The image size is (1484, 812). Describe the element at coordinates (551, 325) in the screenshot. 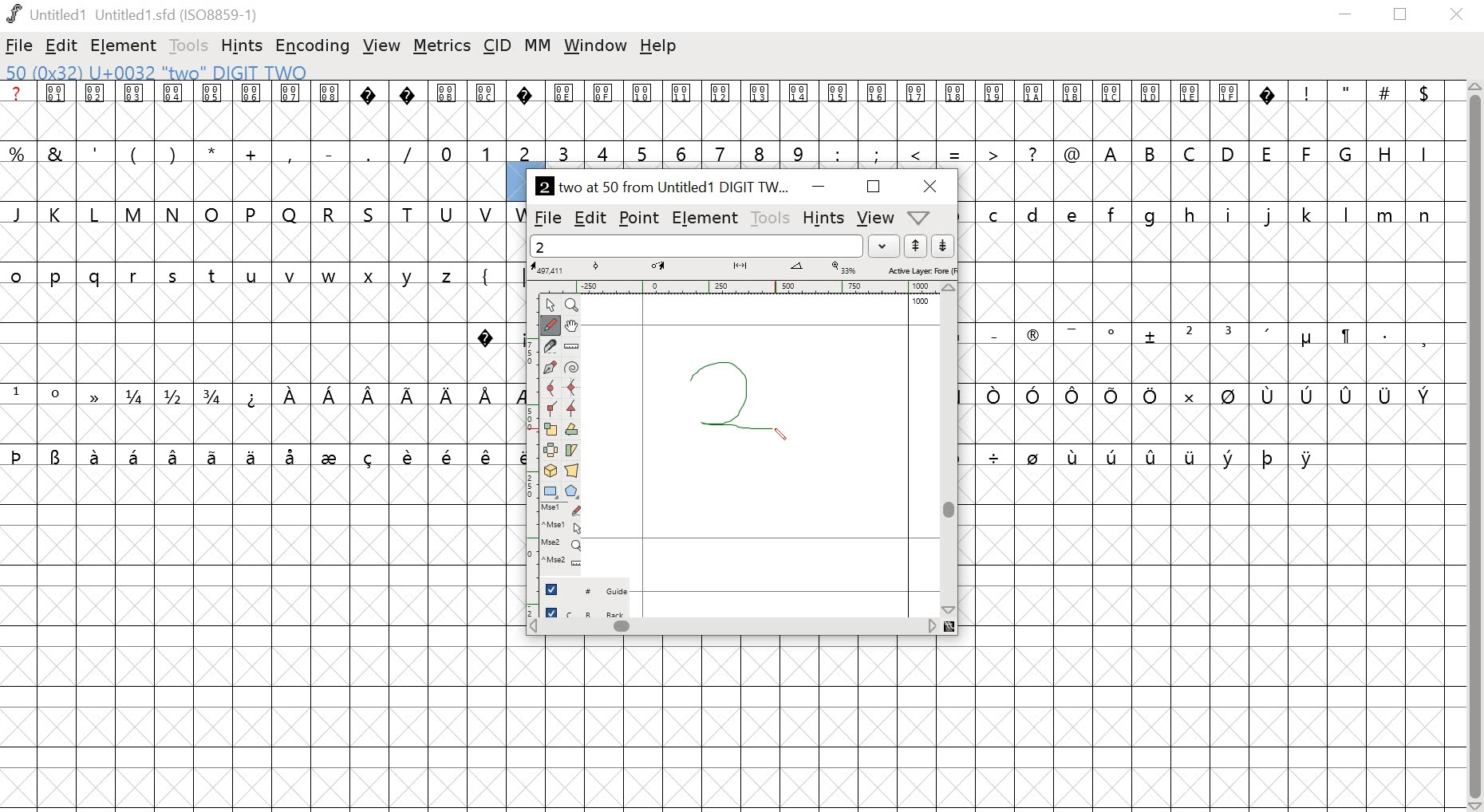

I see `freehand tool` at that location.